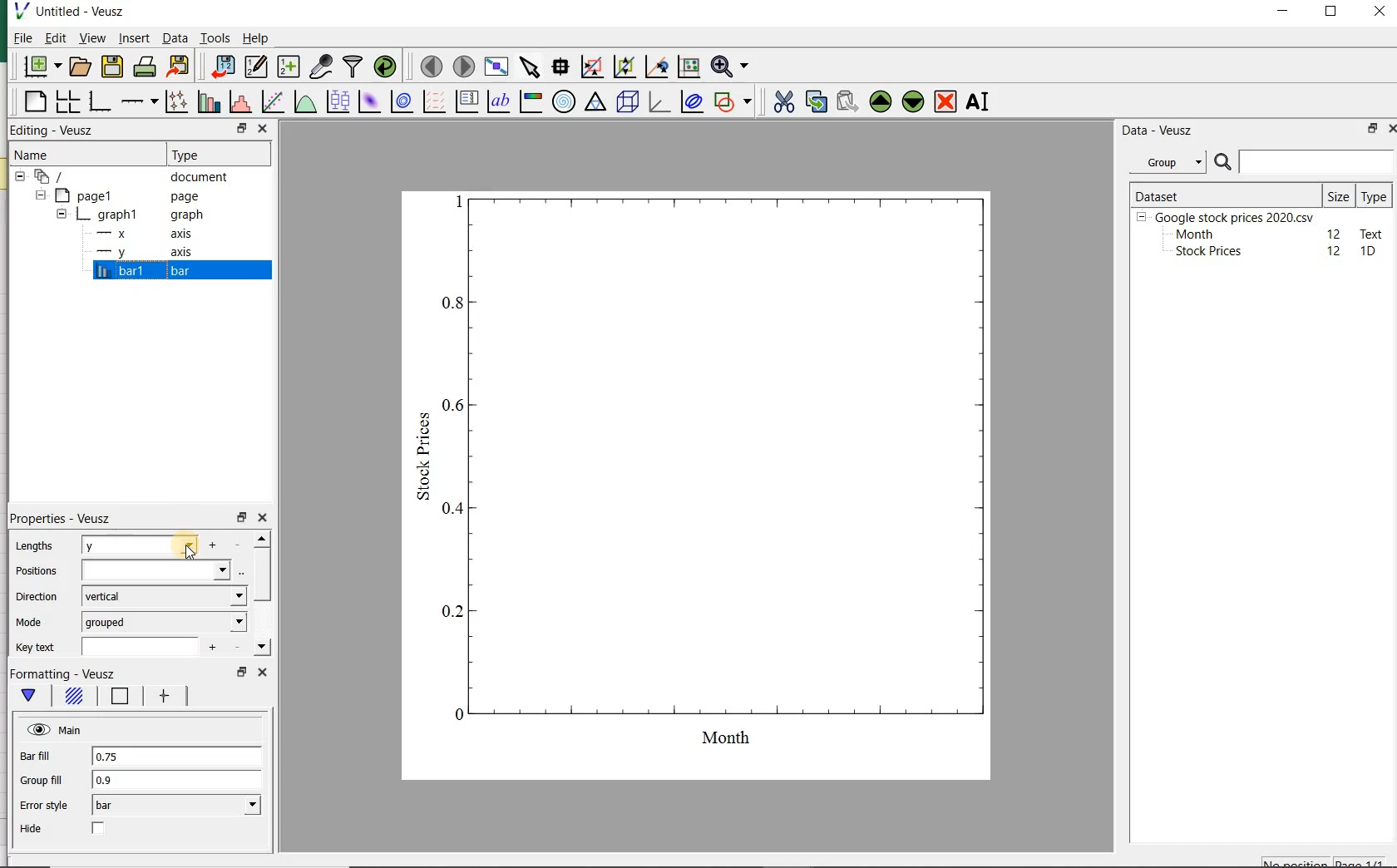 Image resolution: width=1397 pixels, height=868 pixels. Describe the element at coordinates (881, 101) in the screenshot. I see `move the selected widget up` at that location.